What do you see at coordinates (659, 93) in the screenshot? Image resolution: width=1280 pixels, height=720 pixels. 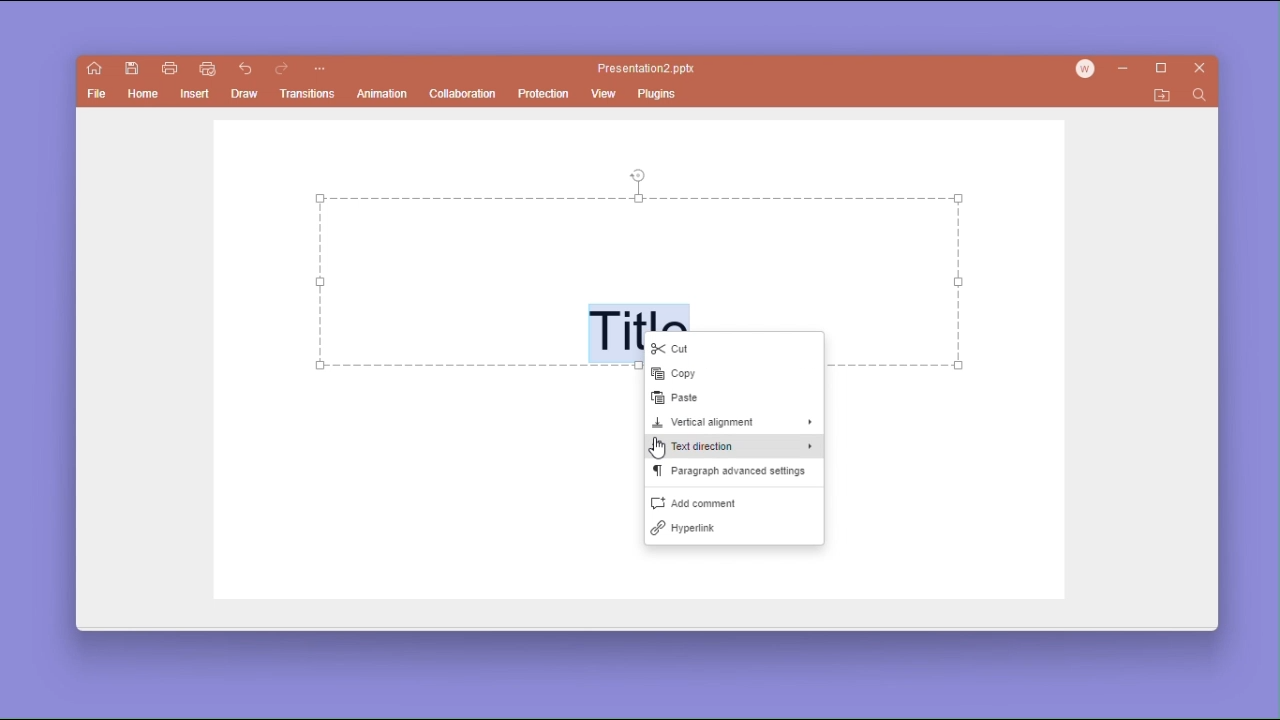 I see `plugins` at bounding box center [659, 93].